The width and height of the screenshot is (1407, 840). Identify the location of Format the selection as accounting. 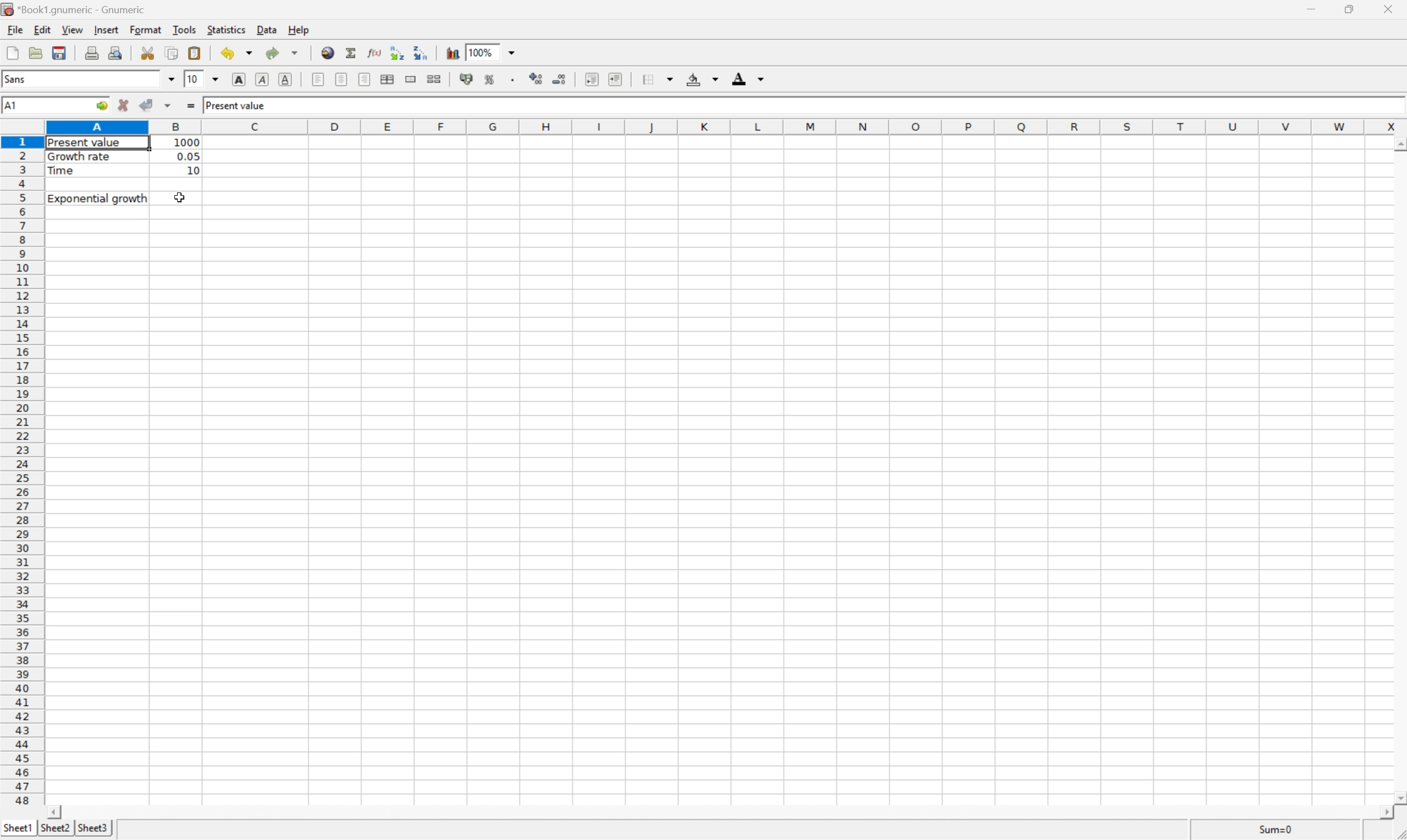
(467, 78).